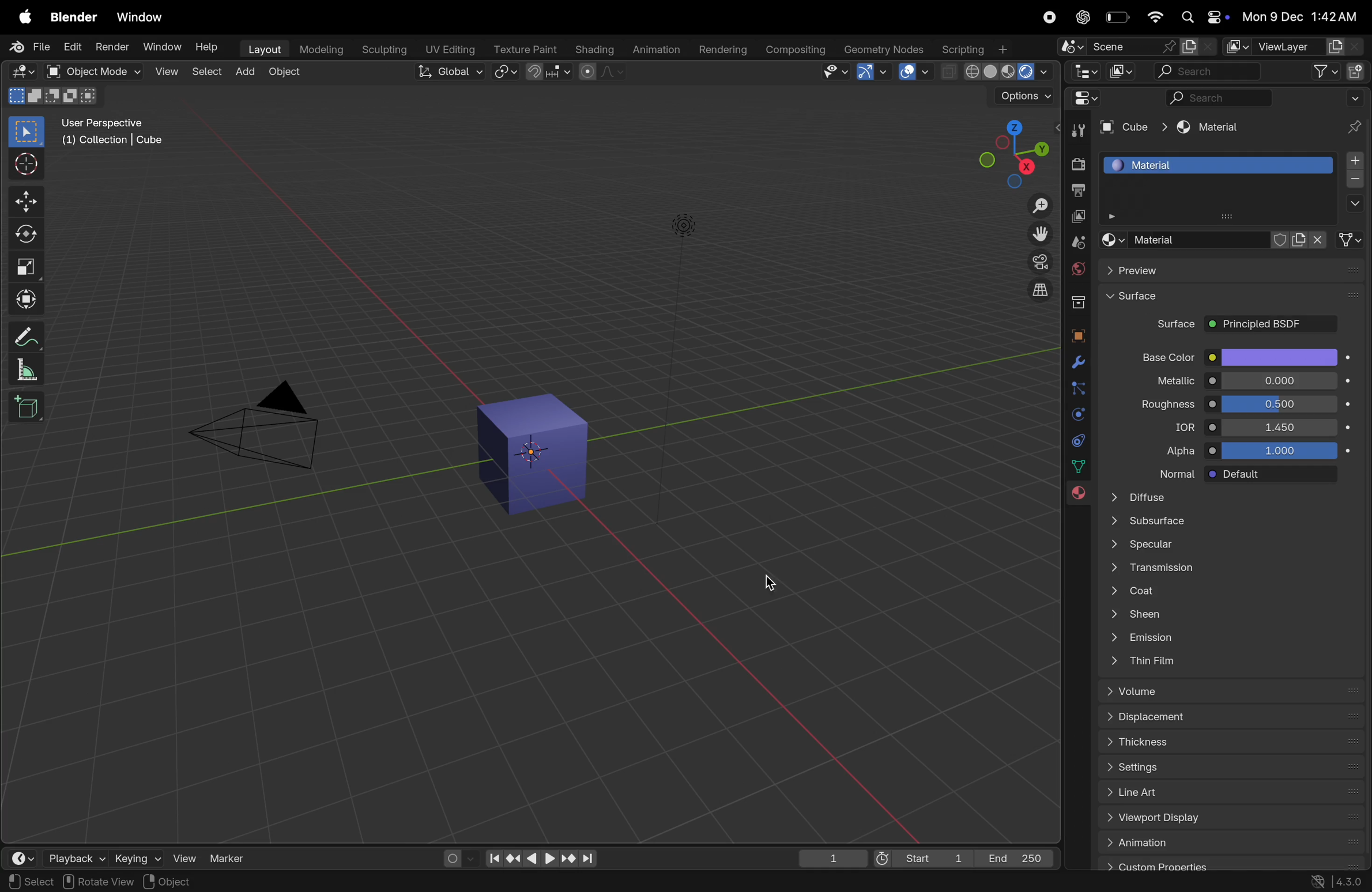 Image resolution: width=1372 pixels, height=892 pixels. I want to click on Lights, so click(685, 227).